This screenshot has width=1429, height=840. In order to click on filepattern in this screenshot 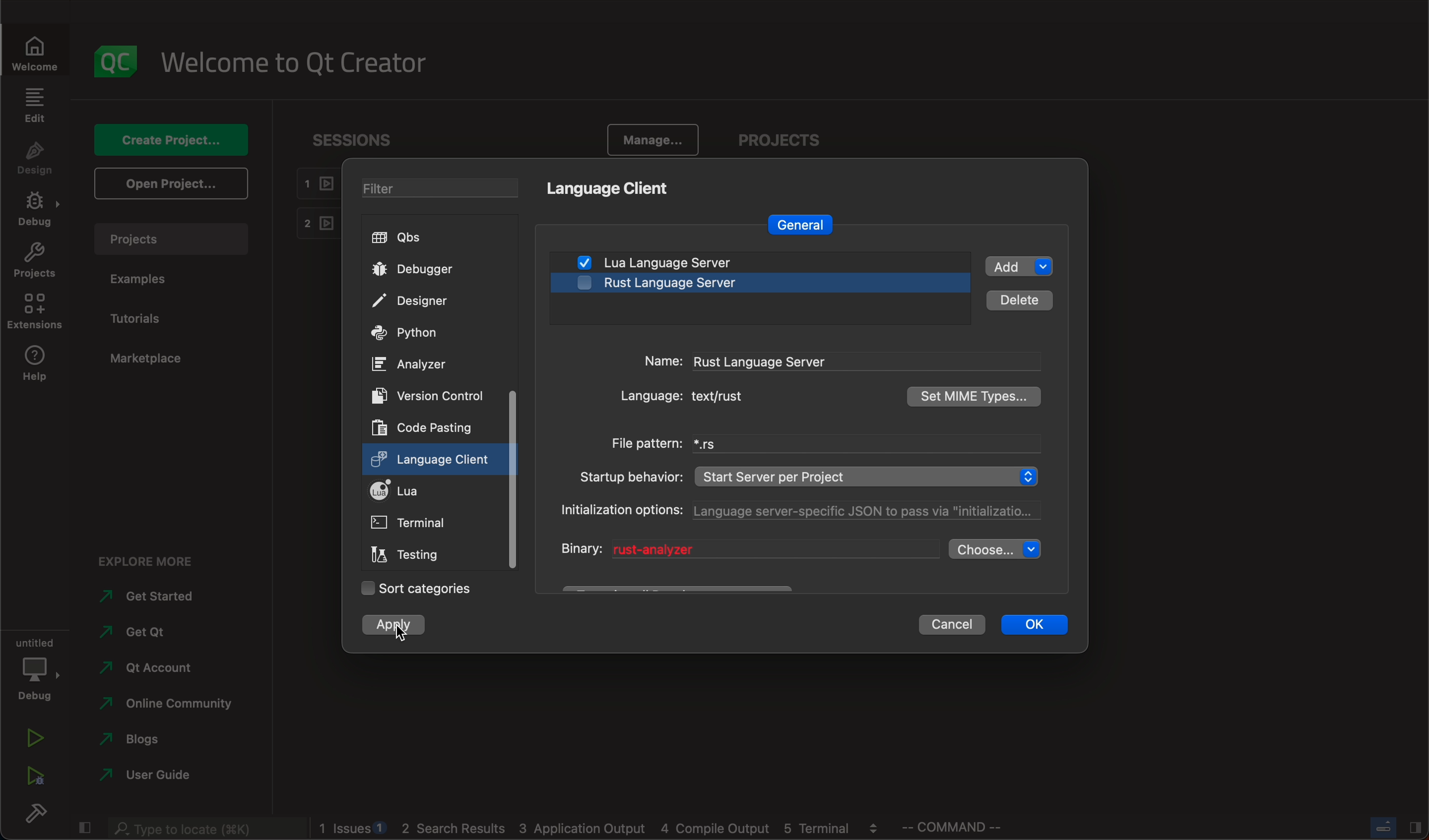, I will do `click(818, 443)`.